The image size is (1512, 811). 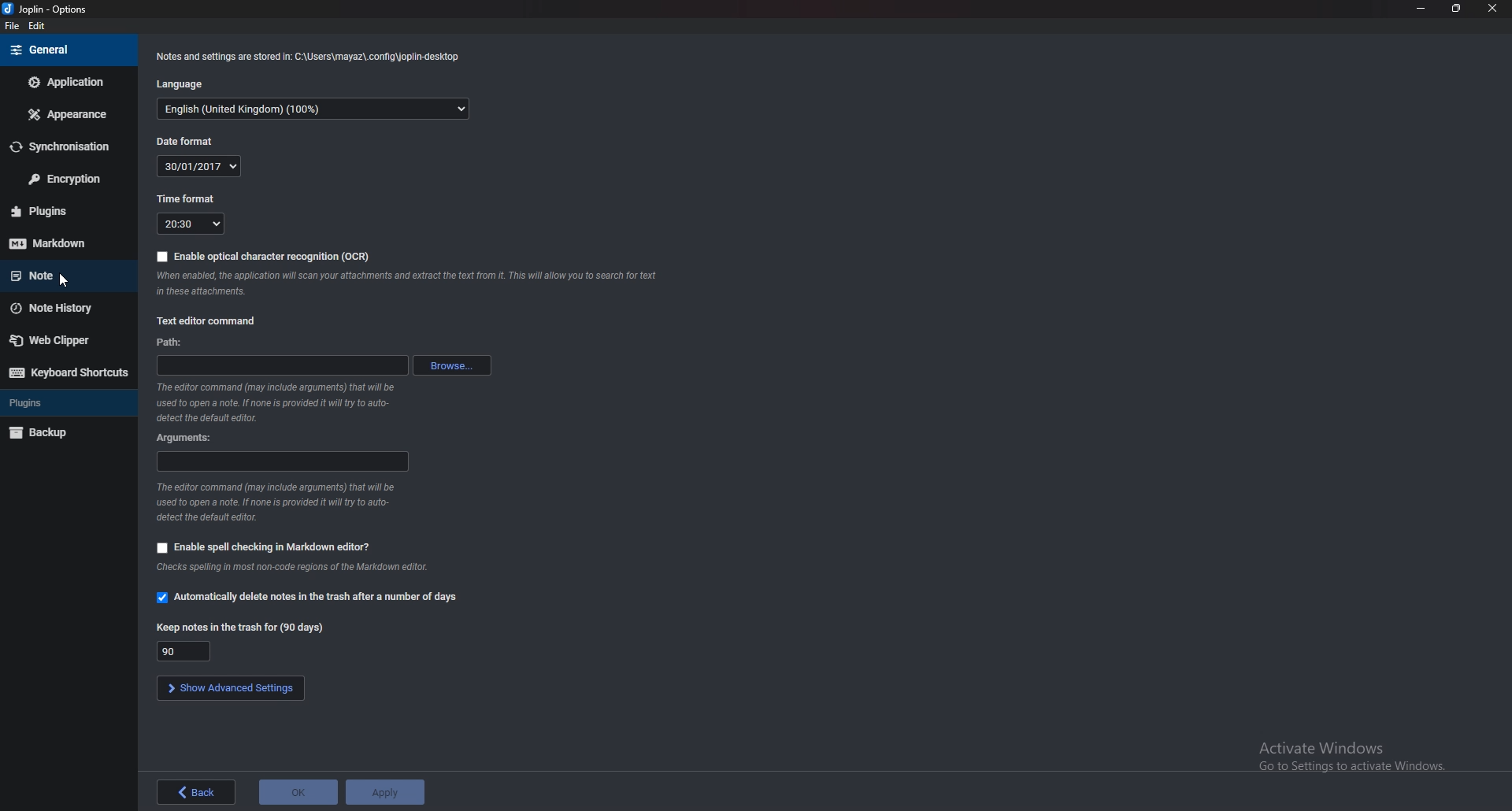 I want to click on Application, so click(x=68, y=82).